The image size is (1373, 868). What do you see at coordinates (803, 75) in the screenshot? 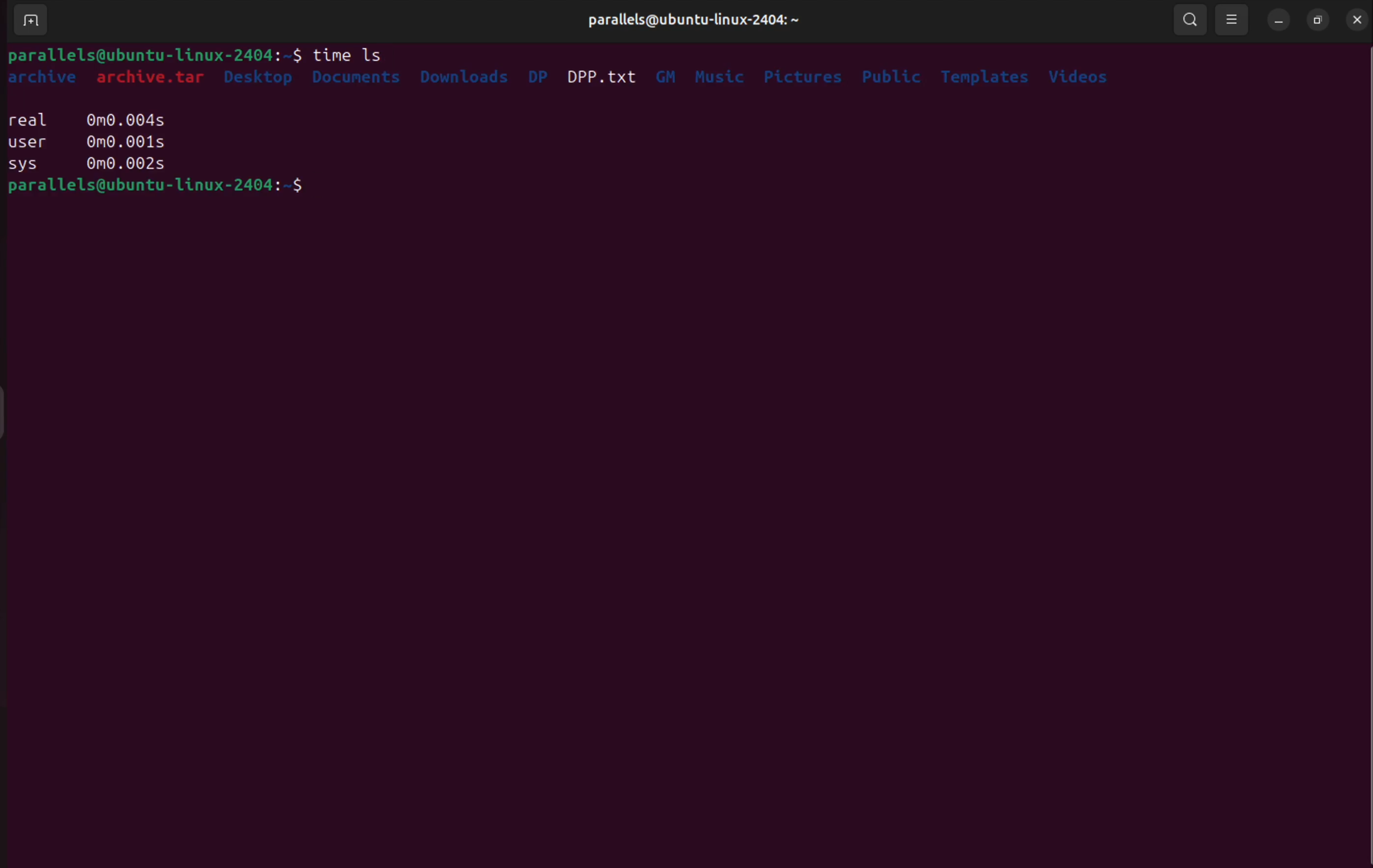
I see `Pictures` at bounding box center [803, 75].